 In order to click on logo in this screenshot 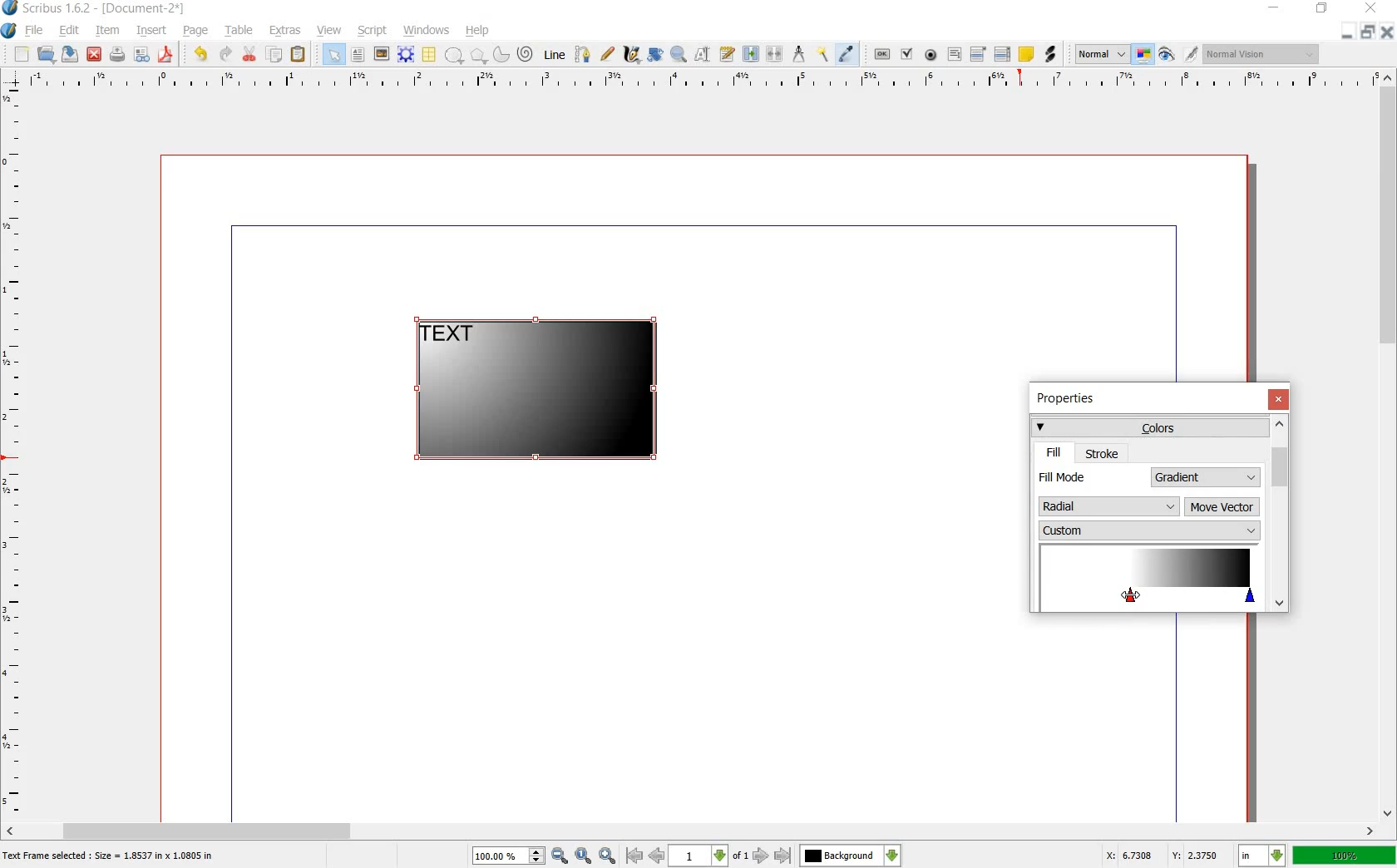, I will do `click(11, 9)`.